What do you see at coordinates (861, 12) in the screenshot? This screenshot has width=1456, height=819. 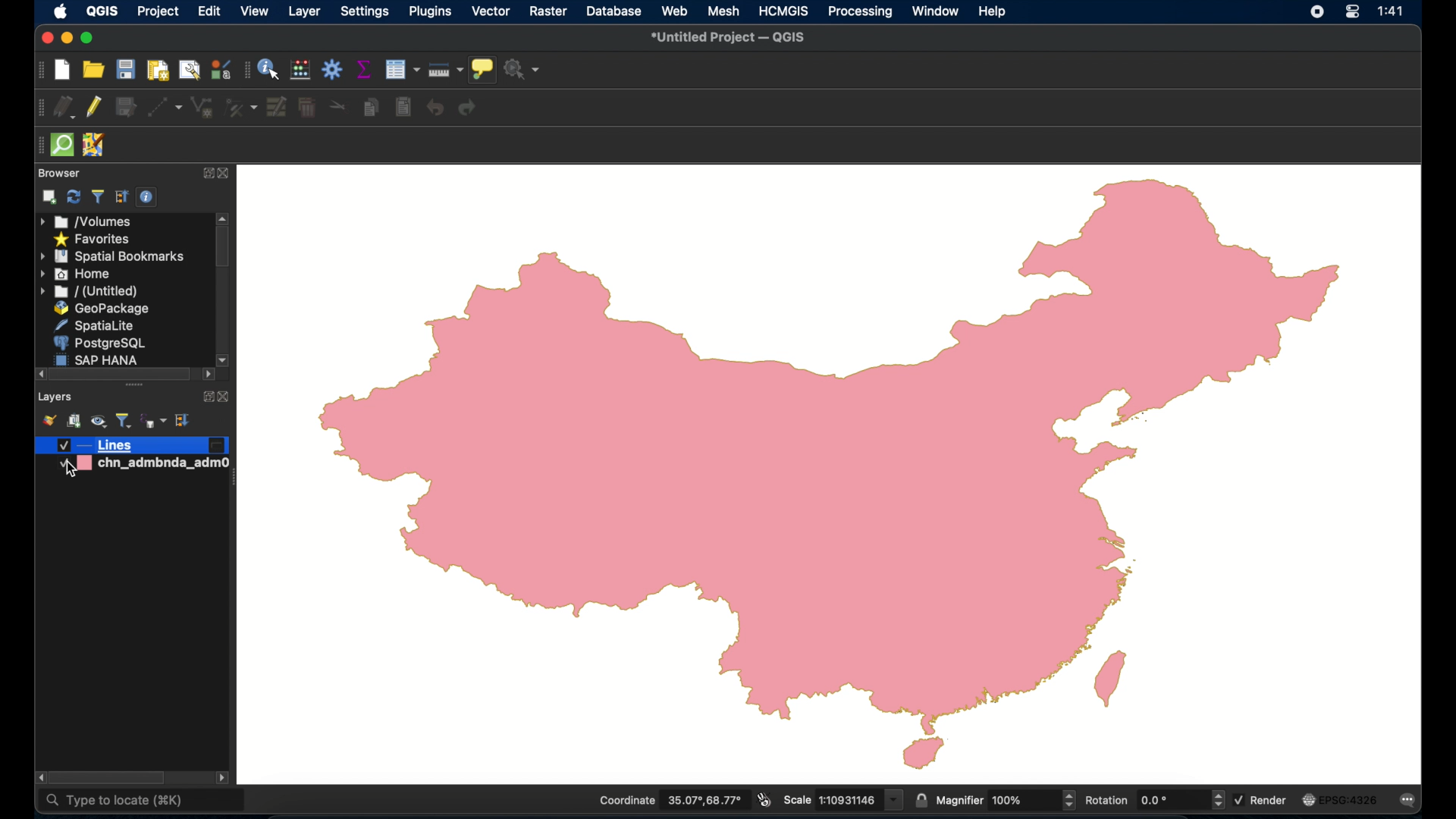 I see `processing ` at bounding box center [861, 12].